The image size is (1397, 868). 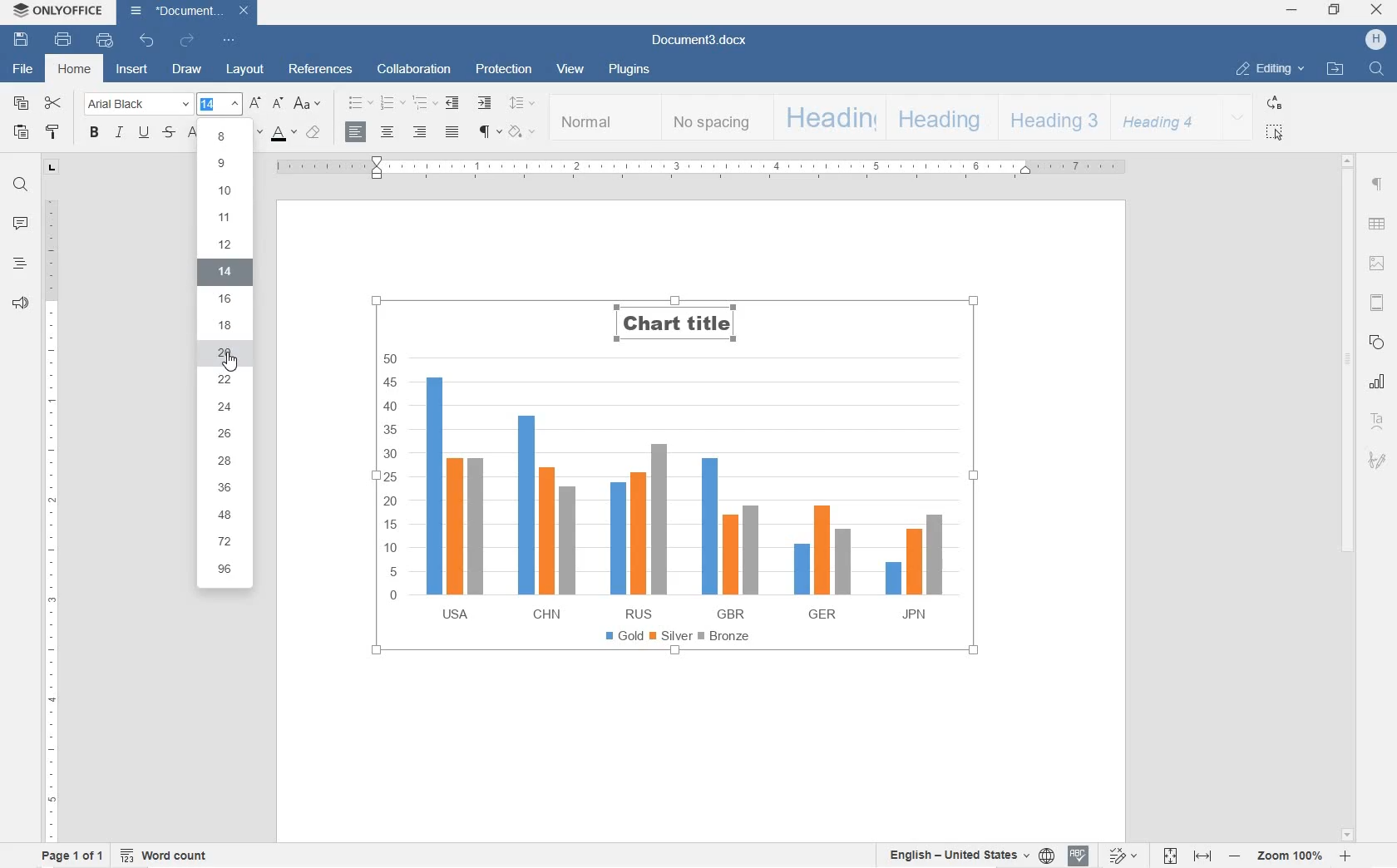 What do you see at coordinates (21, 132) in the screenshot?
I see `PASTE` at bounding box center [21, 132].